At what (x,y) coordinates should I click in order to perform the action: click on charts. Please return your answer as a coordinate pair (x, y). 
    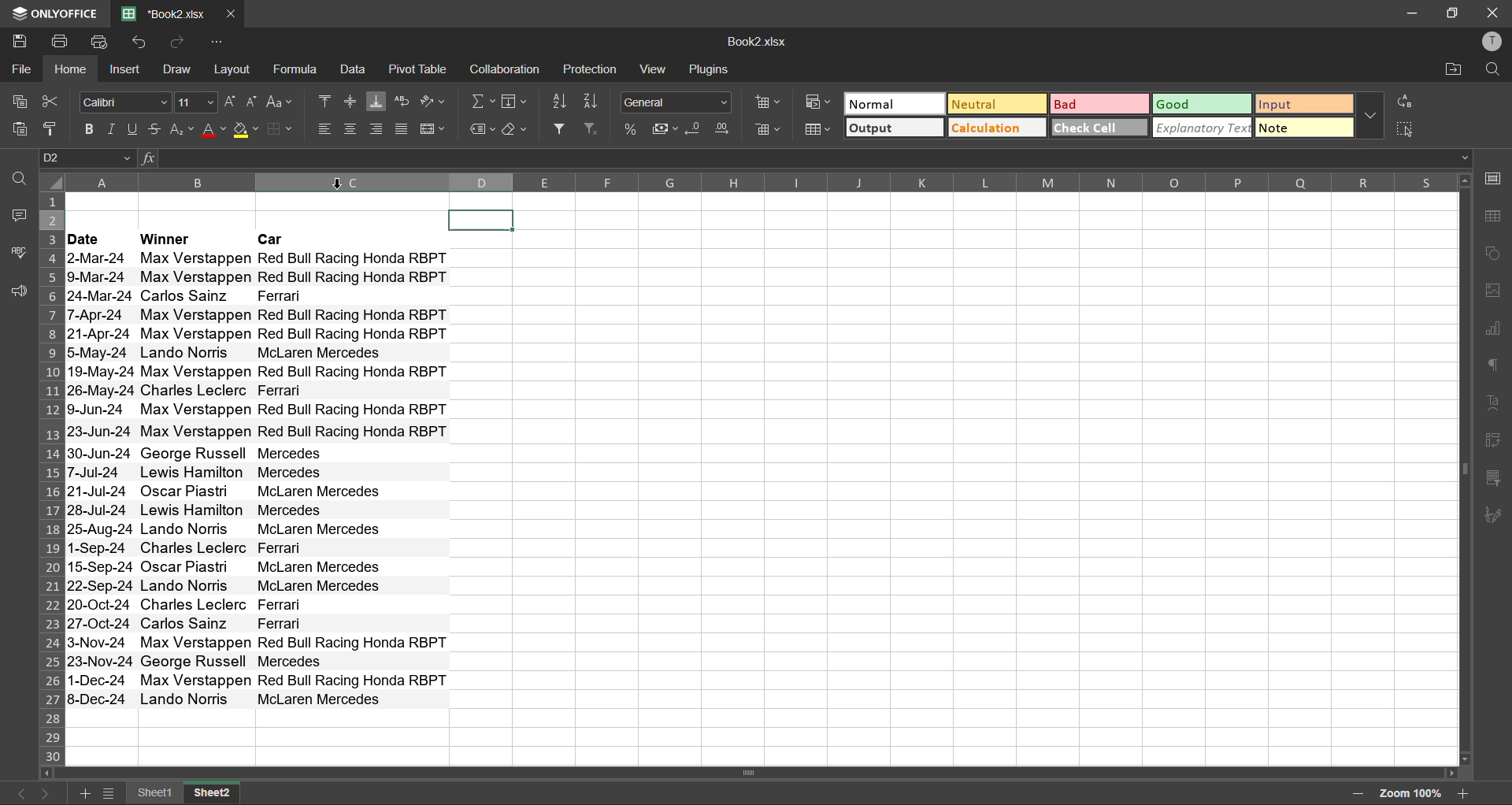
    Looking at the image, I should click on (1496, 331).